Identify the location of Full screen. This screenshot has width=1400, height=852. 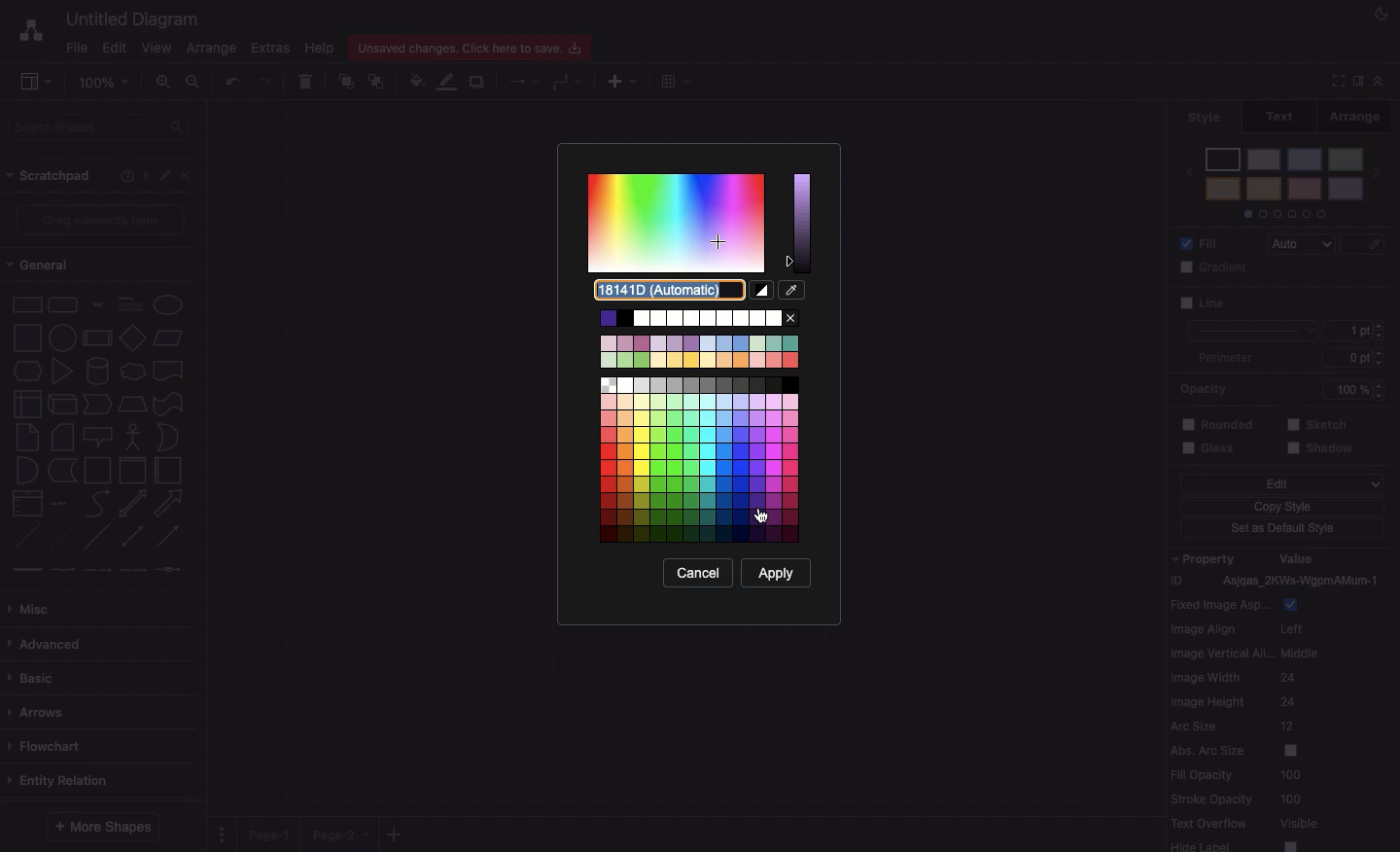
(1336, 83).